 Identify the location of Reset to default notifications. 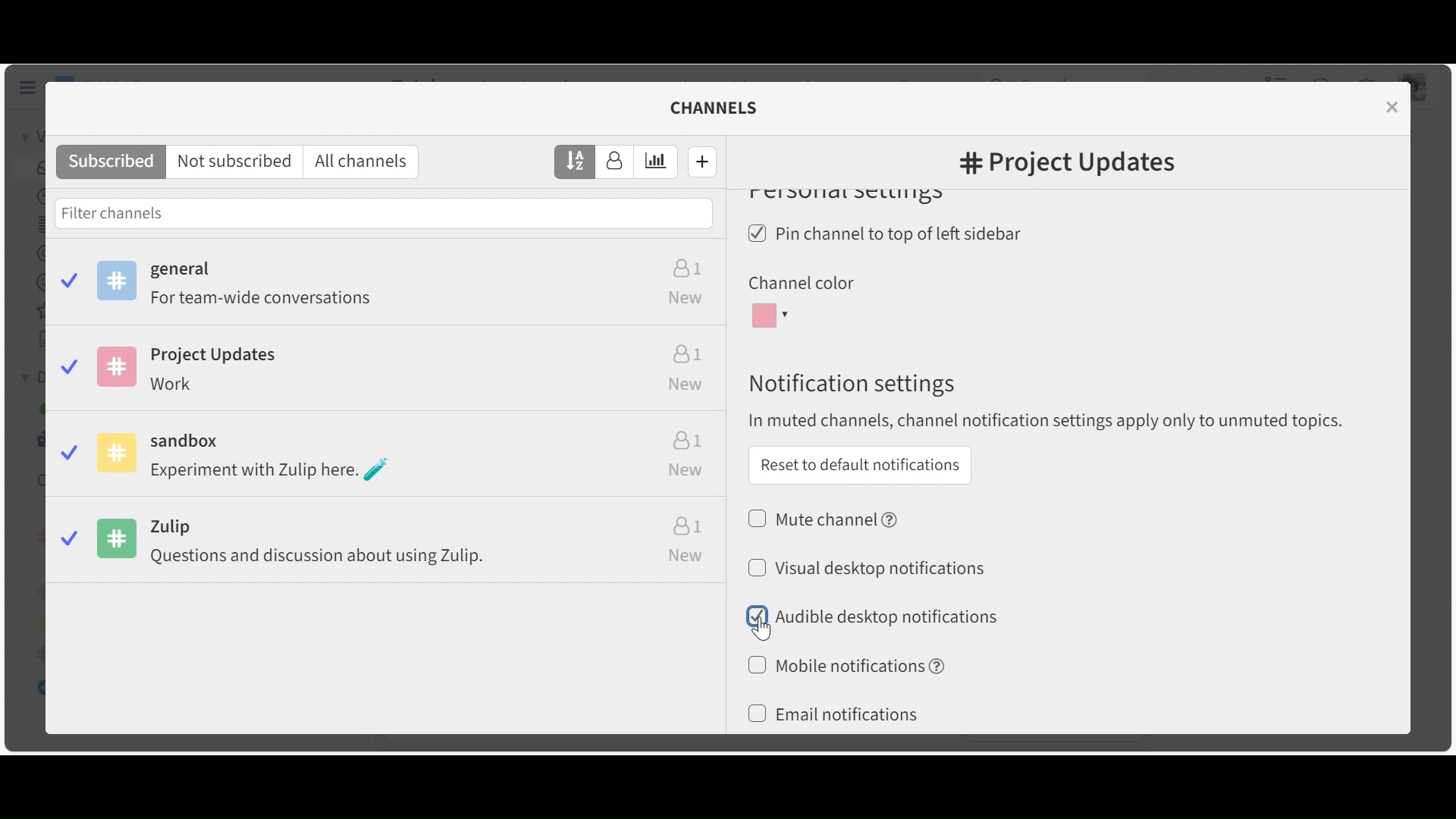
(859, 465).